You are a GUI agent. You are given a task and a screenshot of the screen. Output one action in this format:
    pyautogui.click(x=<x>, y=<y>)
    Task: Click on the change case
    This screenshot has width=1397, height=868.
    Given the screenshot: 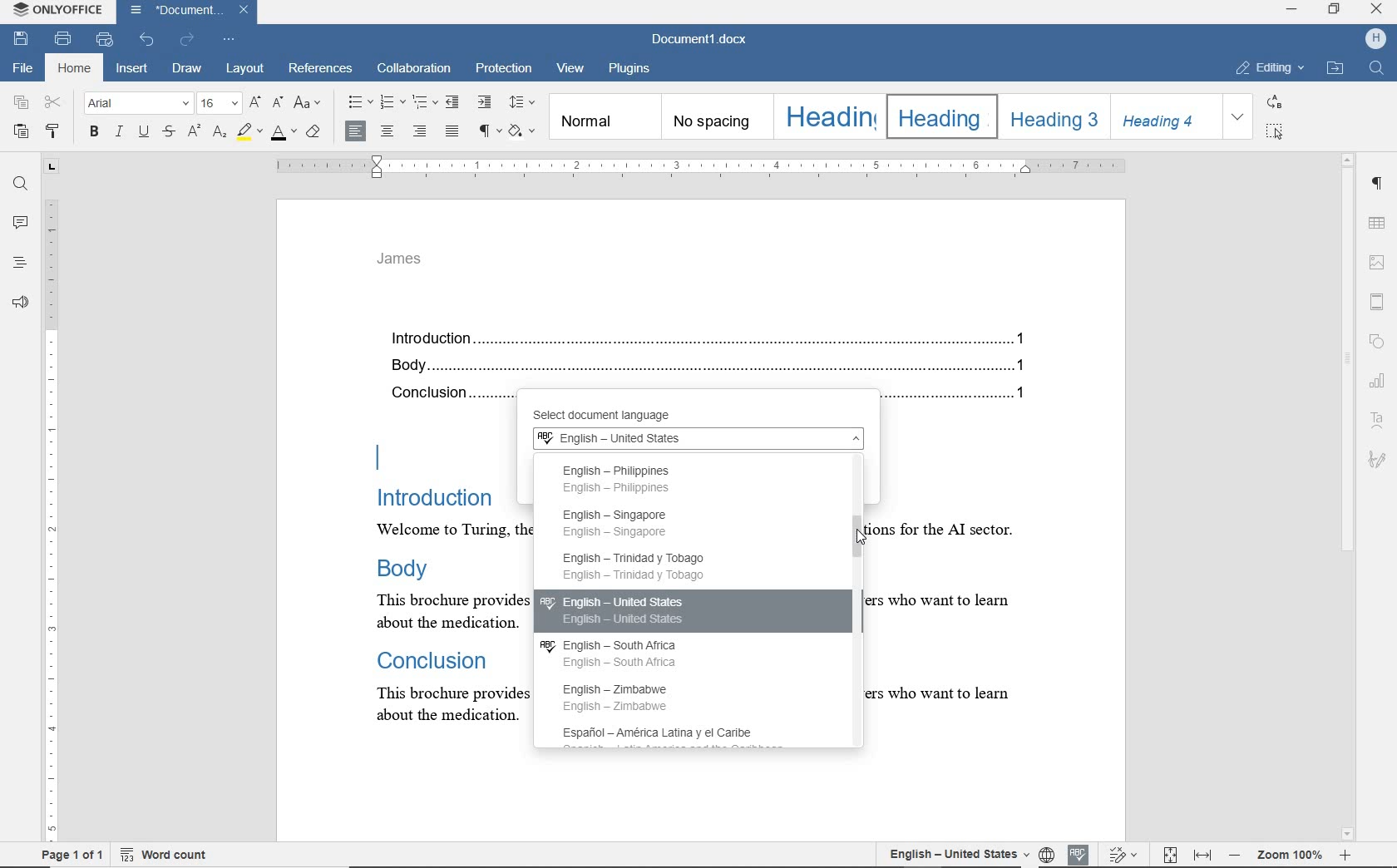 What is the action you would take?
    pyautogui.click(x=310, y=104)
    